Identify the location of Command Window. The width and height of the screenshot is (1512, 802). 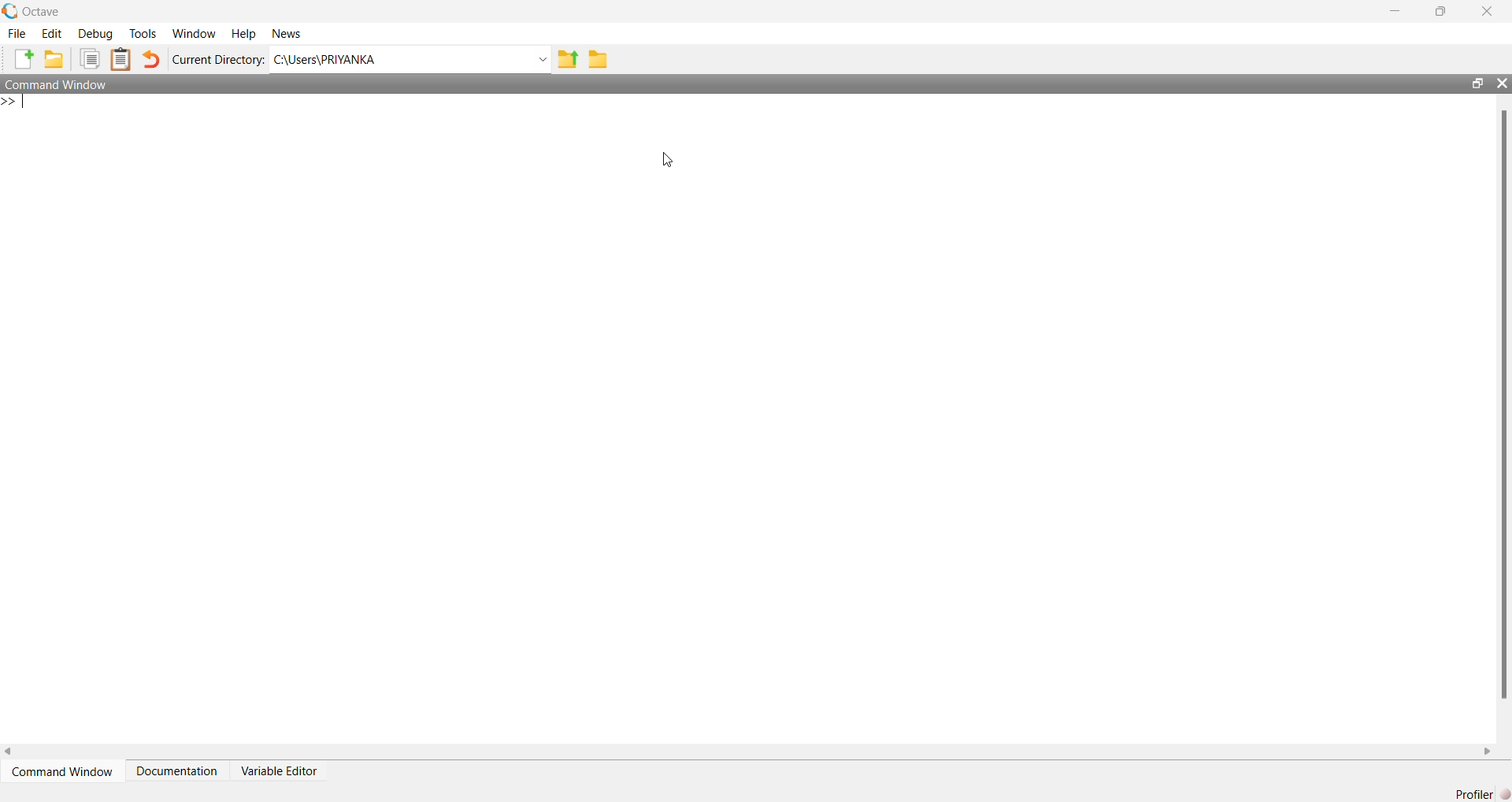
(57, 84).